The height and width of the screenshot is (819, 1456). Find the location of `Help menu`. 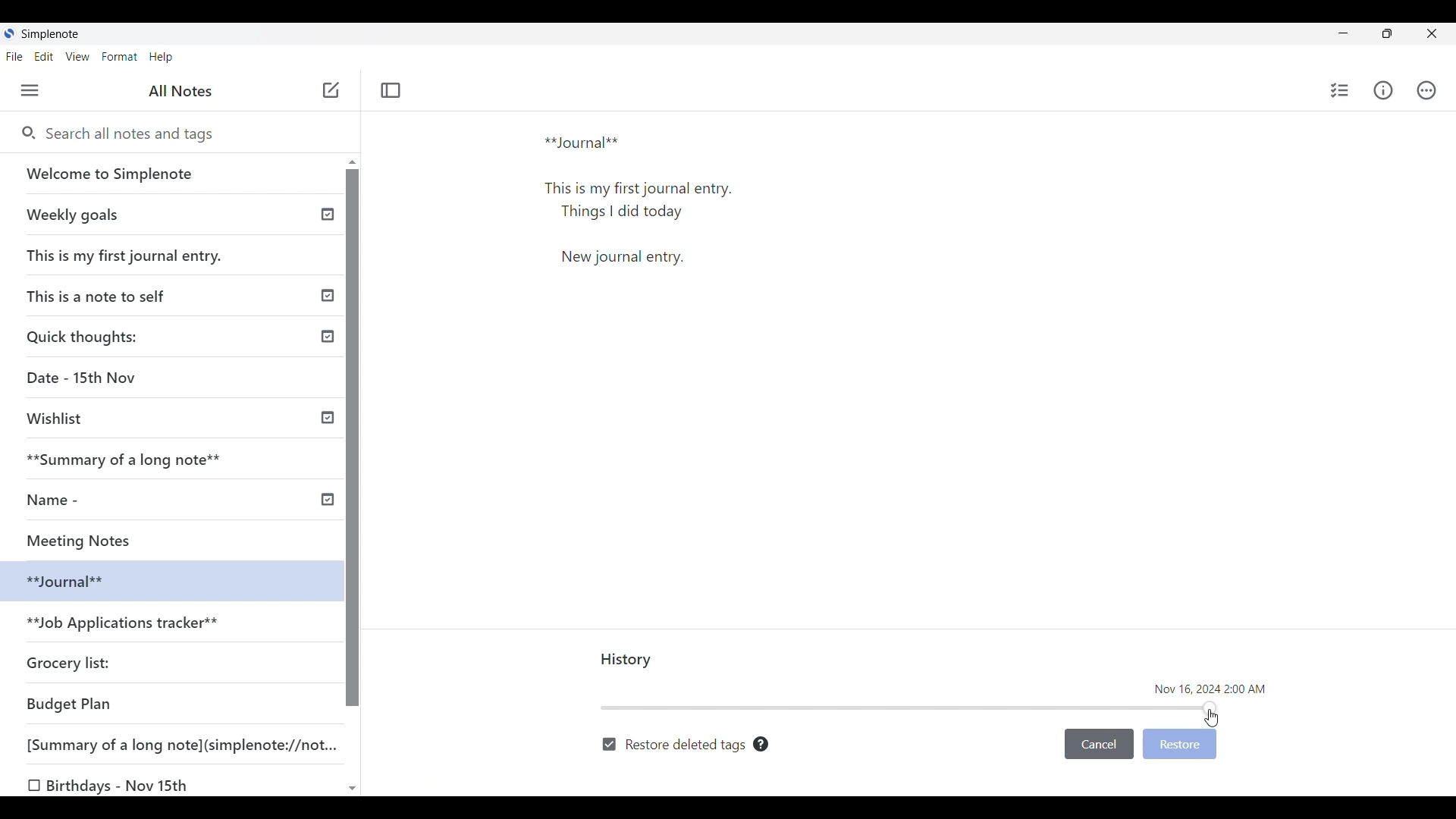

Help menu is located at coordinates (162, 58).